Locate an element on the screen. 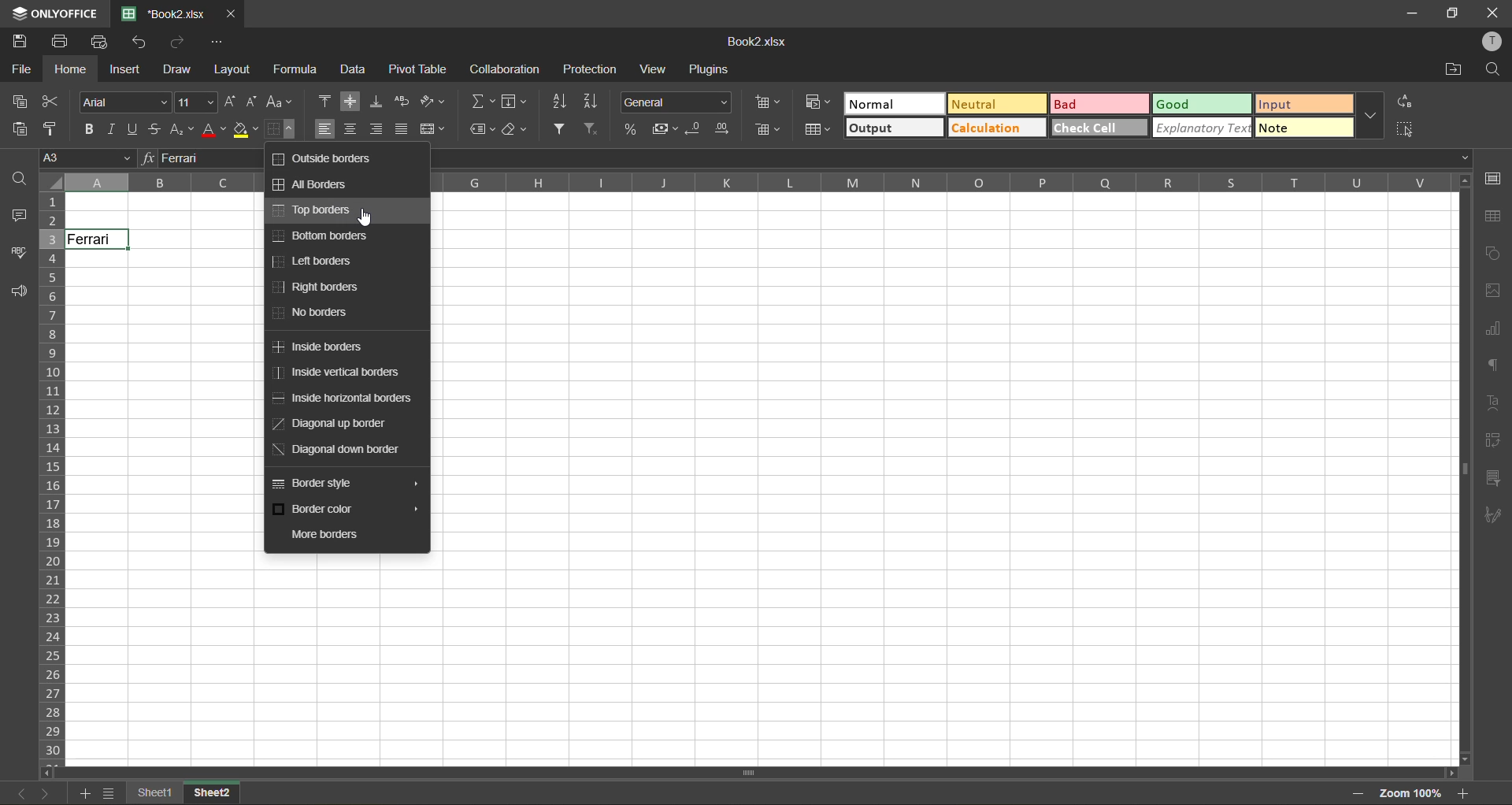  zoom out is located at coordinates (1358, 796).